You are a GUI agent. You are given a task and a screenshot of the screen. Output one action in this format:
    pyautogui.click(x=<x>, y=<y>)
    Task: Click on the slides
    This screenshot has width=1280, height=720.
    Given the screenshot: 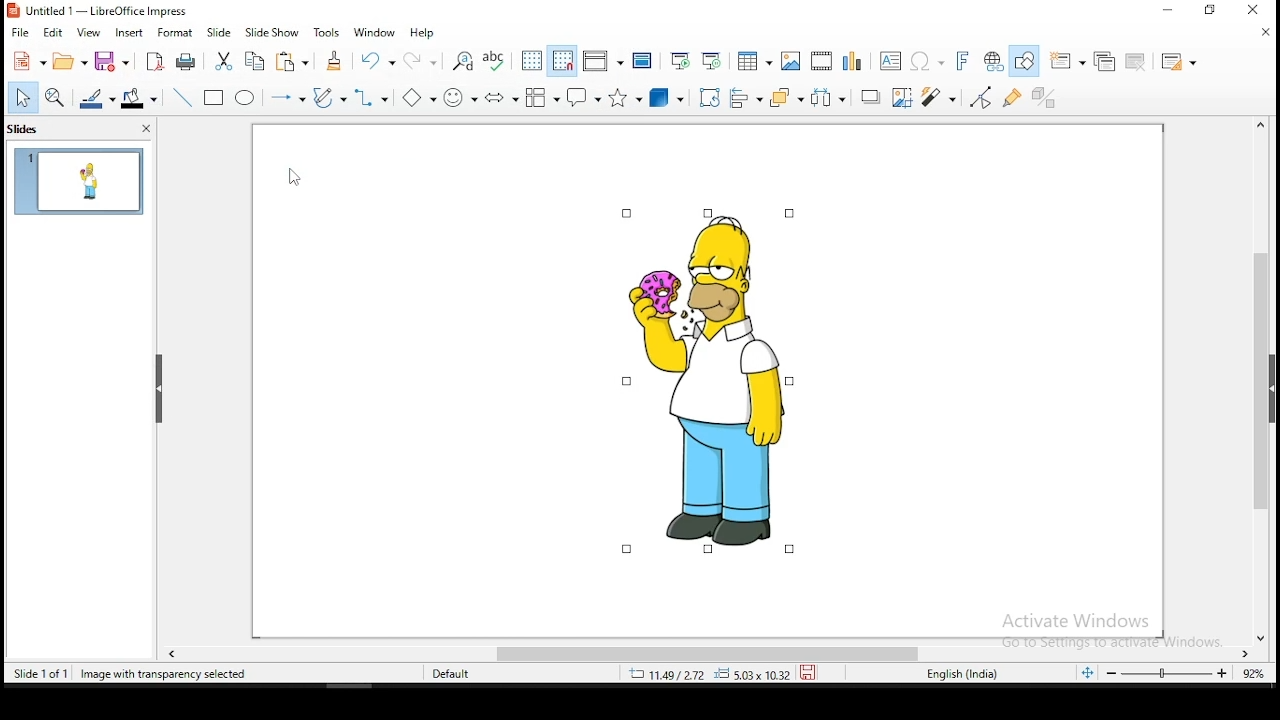 What is the action you would take?
    pyautogui.click(x=32, y=128)
    